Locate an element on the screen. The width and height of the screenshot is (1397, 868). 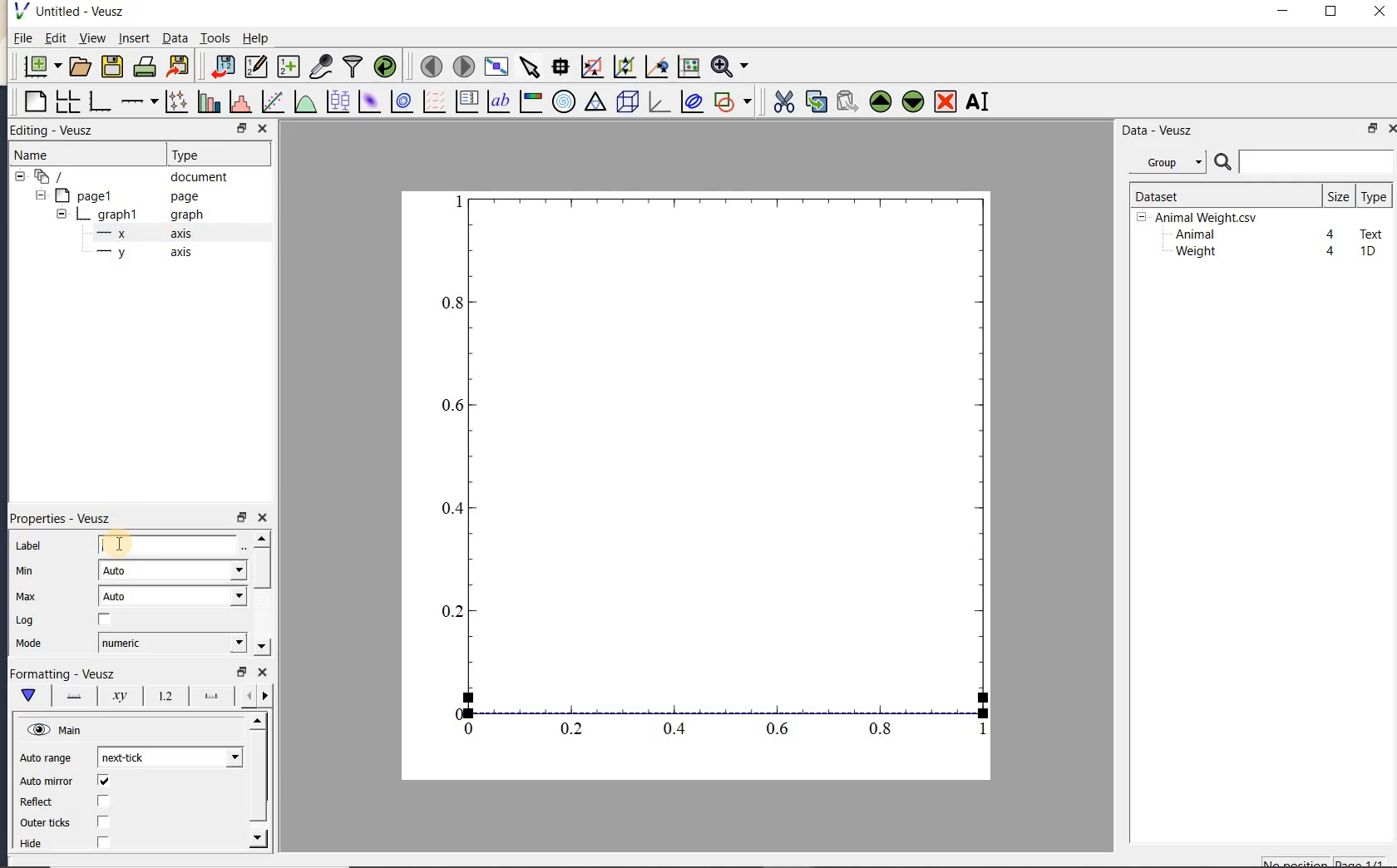
paste widget from the clipboard is located at coordinates (847, 103).